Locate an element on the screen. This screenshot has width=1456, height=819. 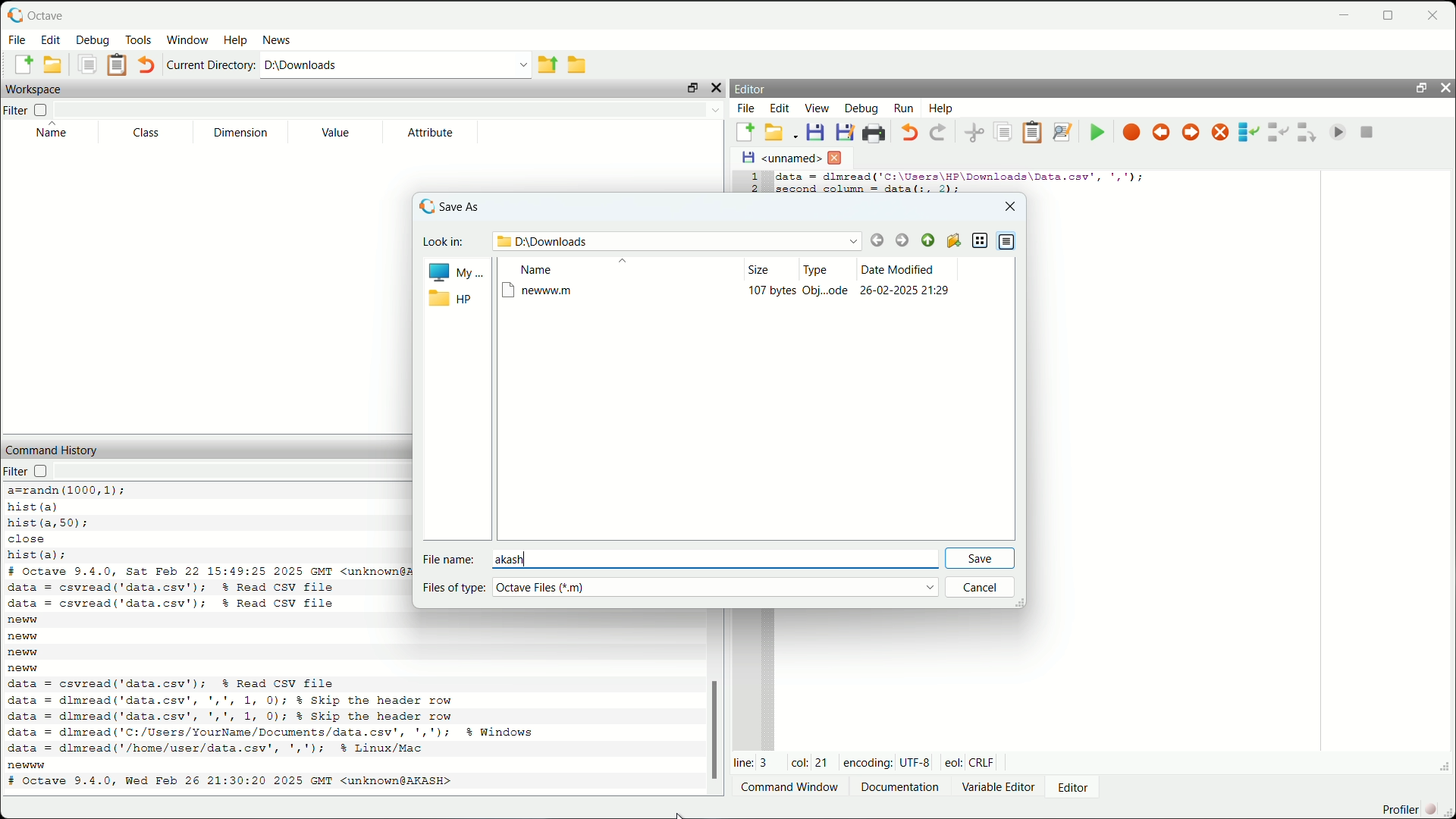
quit debug mode is located at coordinates (1369, 129).